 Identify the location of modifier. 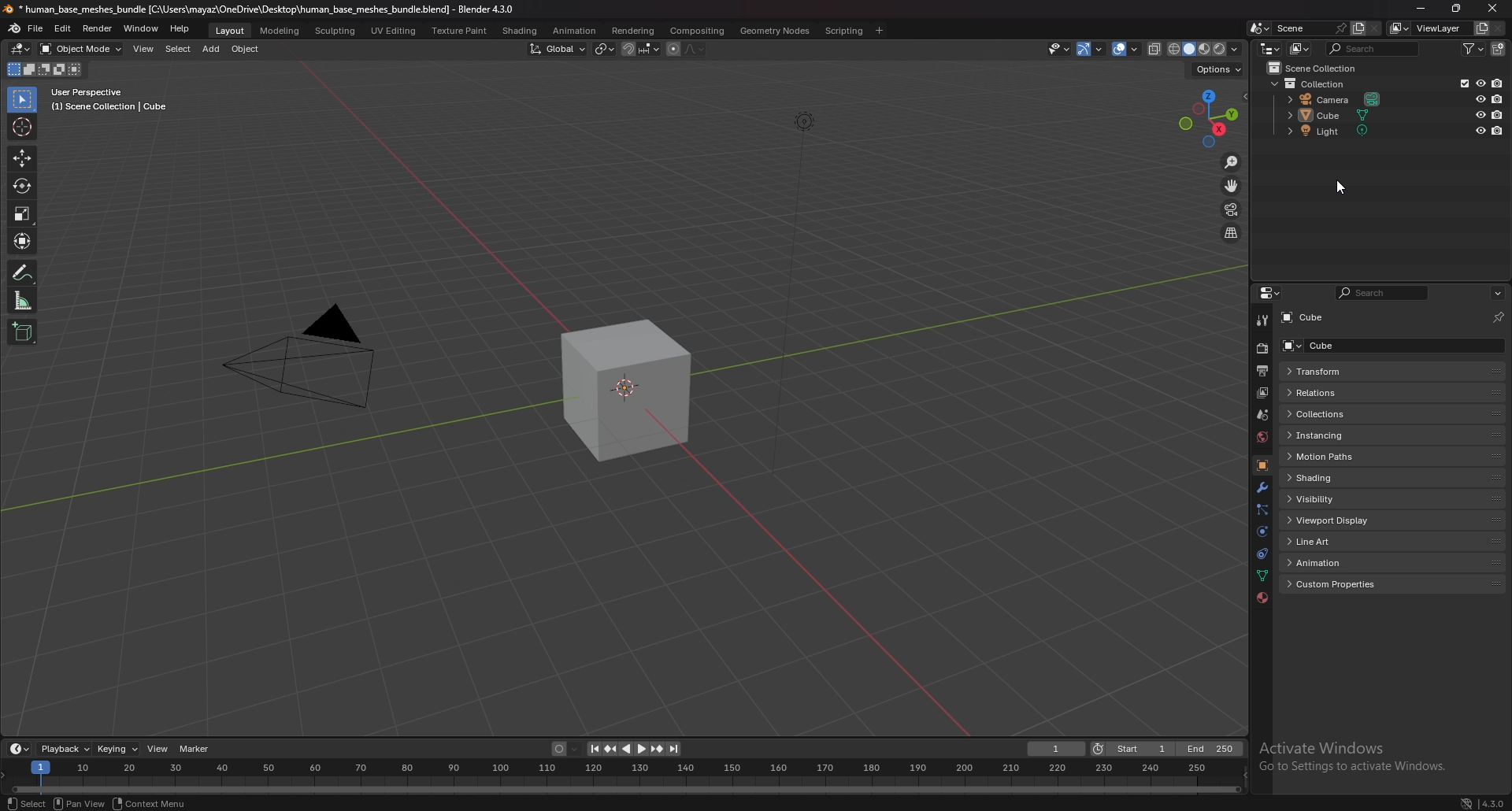
(1262, 489).